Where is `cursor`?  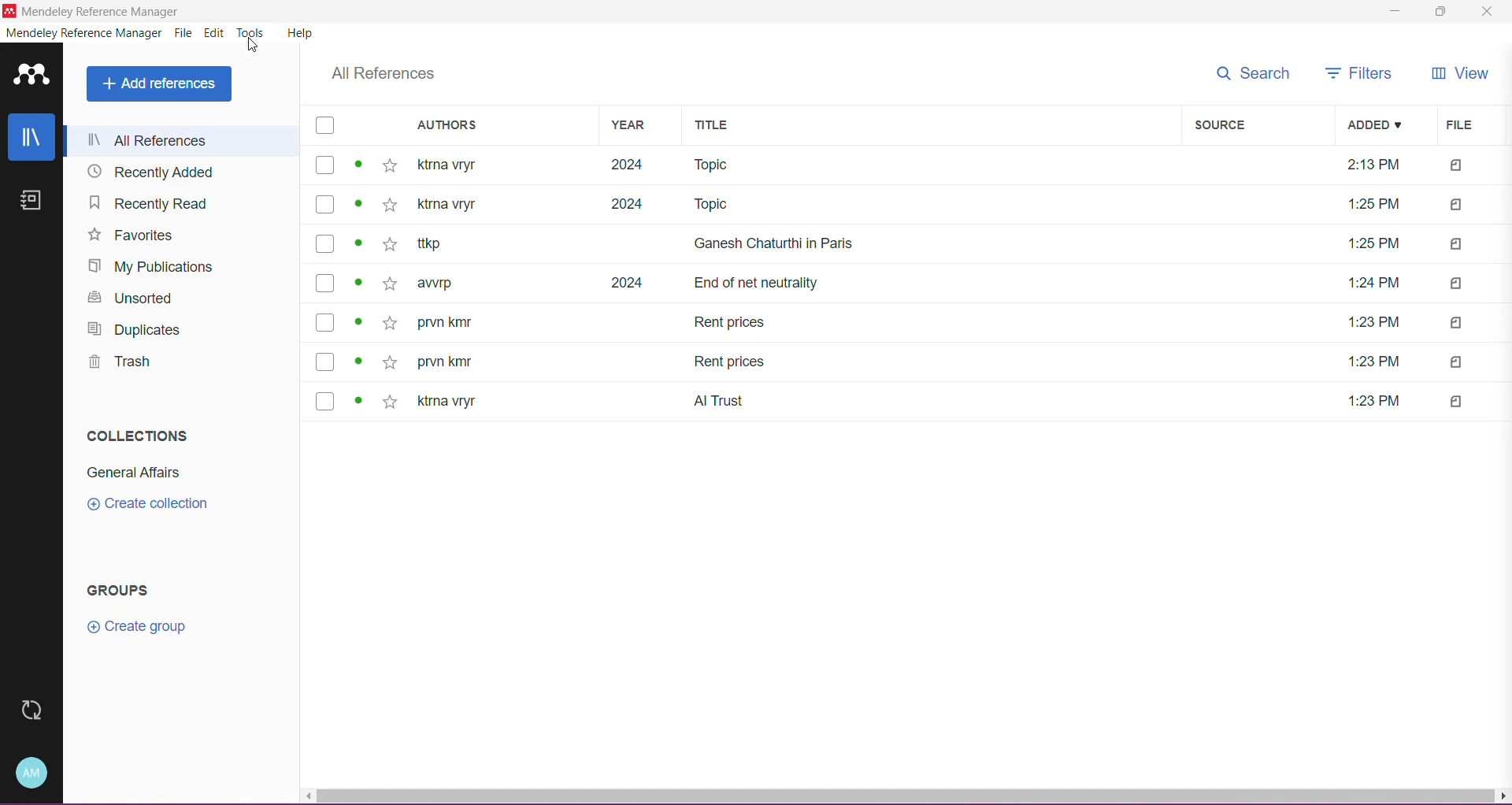 cursor is located at coordinates (250, 48).